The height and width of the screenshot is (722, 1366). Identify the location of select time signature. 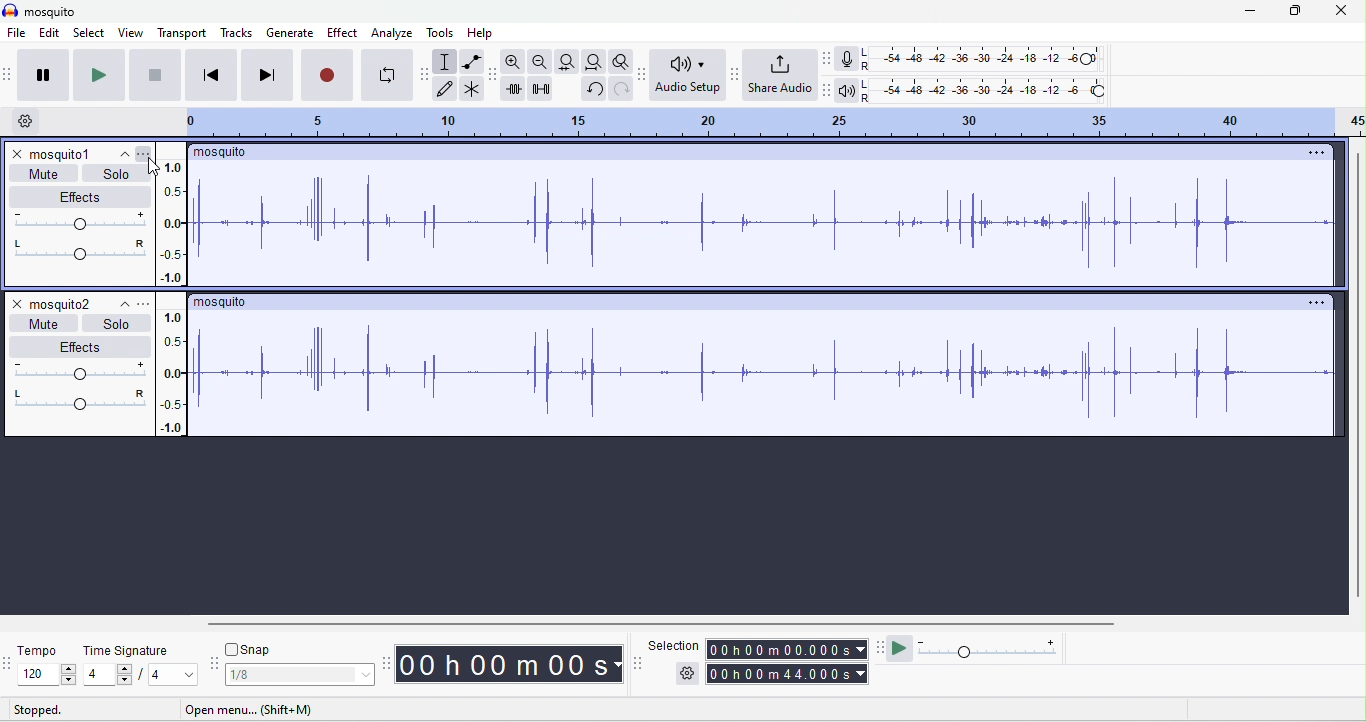
(140, 675).